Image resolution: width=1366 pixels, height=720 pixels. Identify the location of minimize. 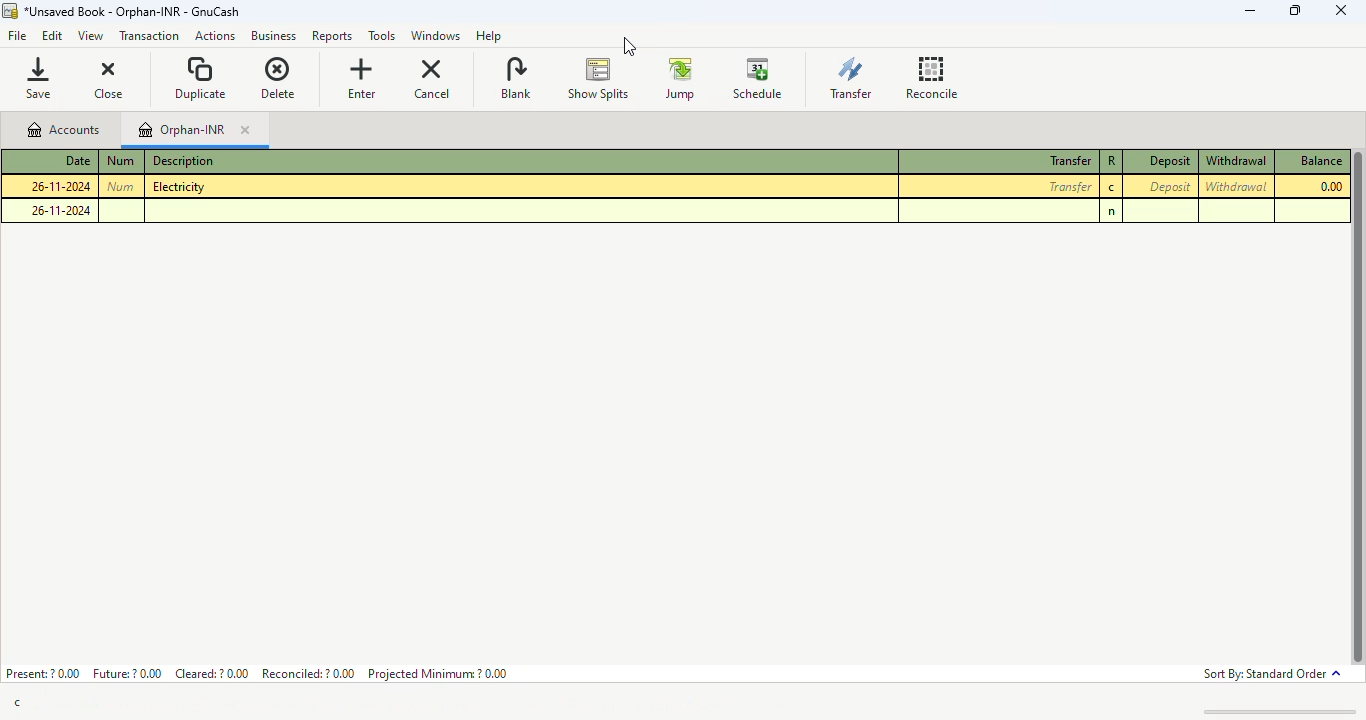
(1251, 11).